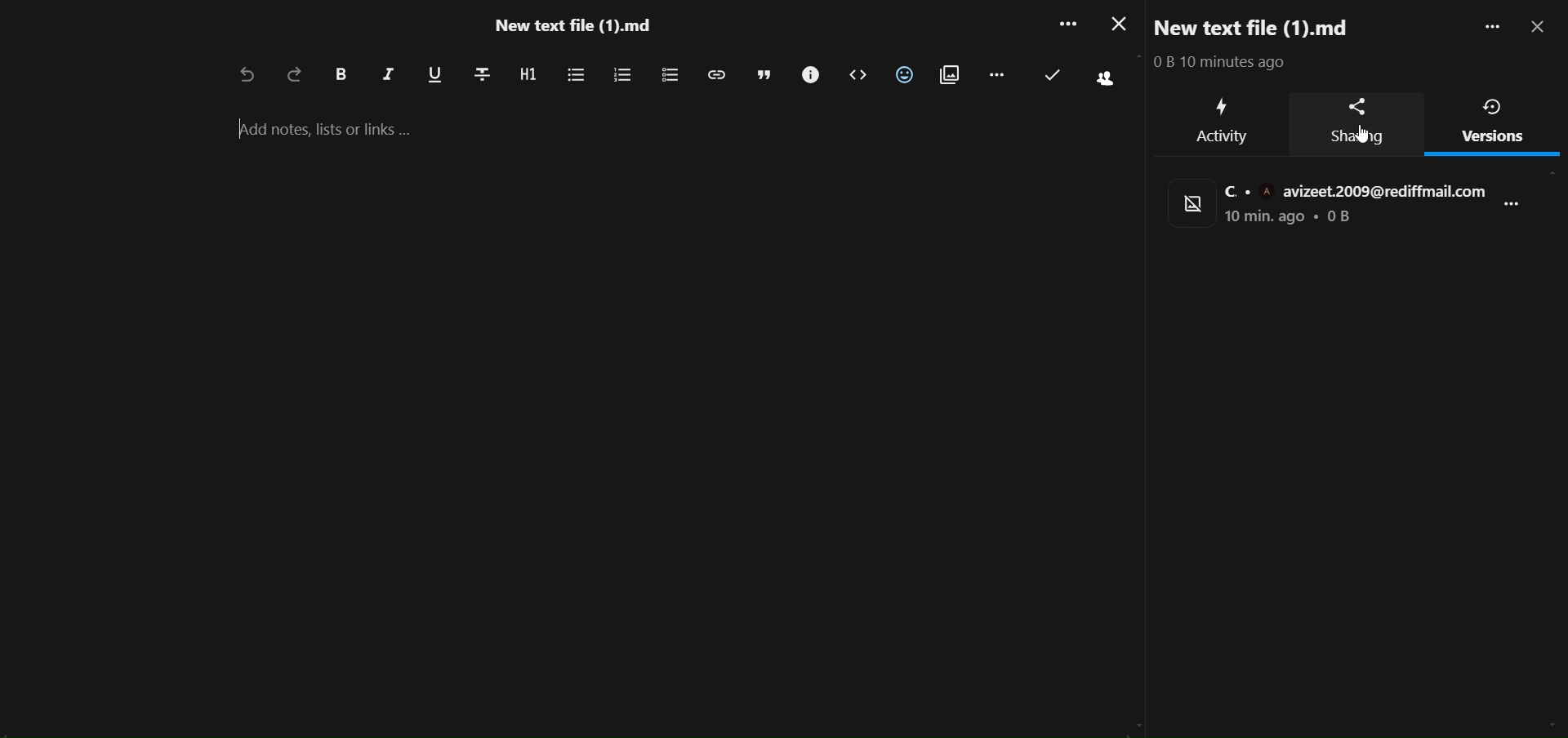  Describe the element at coordinates (1063, 27) in the screenshot. I see `more` at that location.